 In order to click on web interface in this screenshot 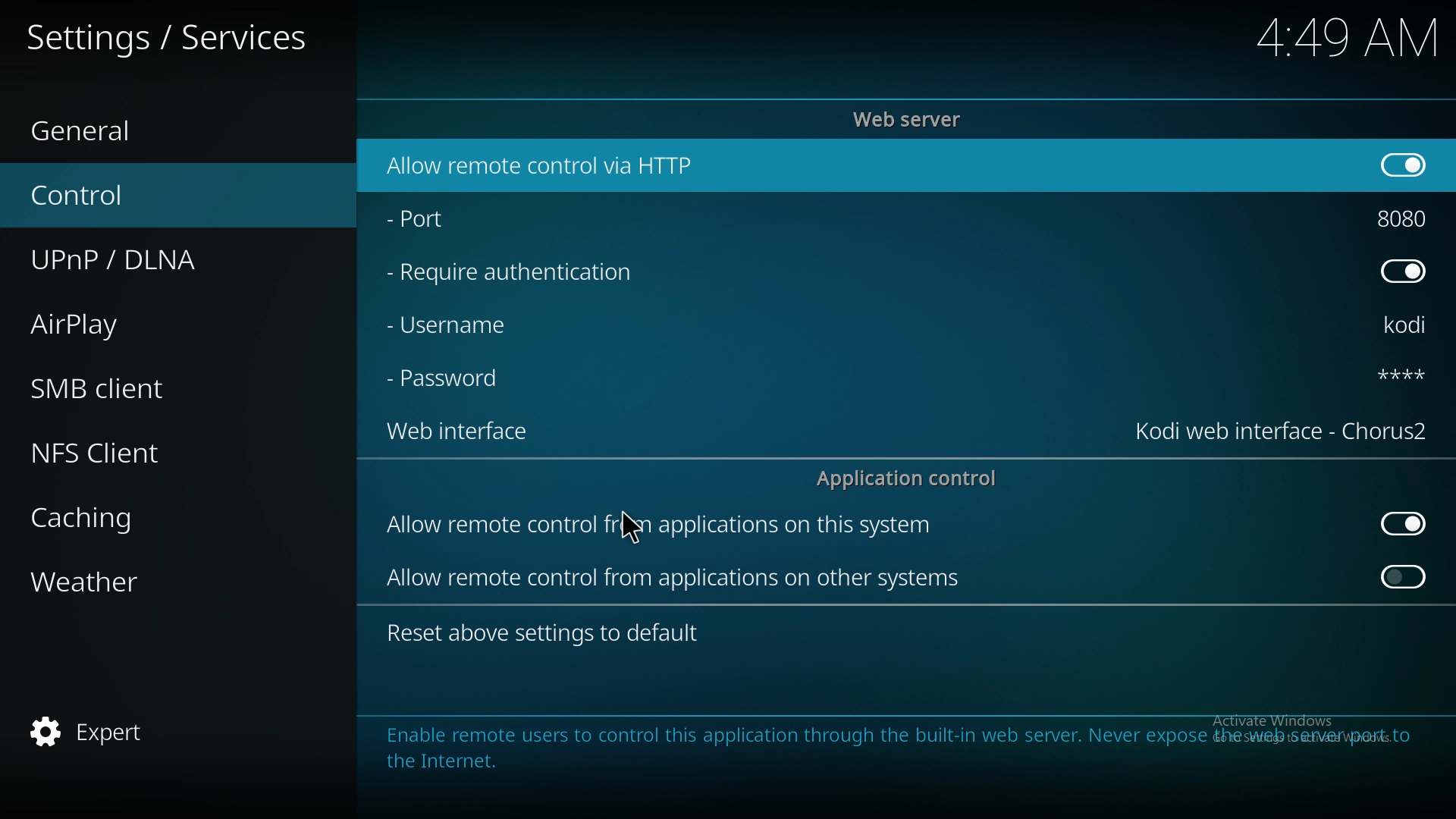, I will do `click(457, 434)`.